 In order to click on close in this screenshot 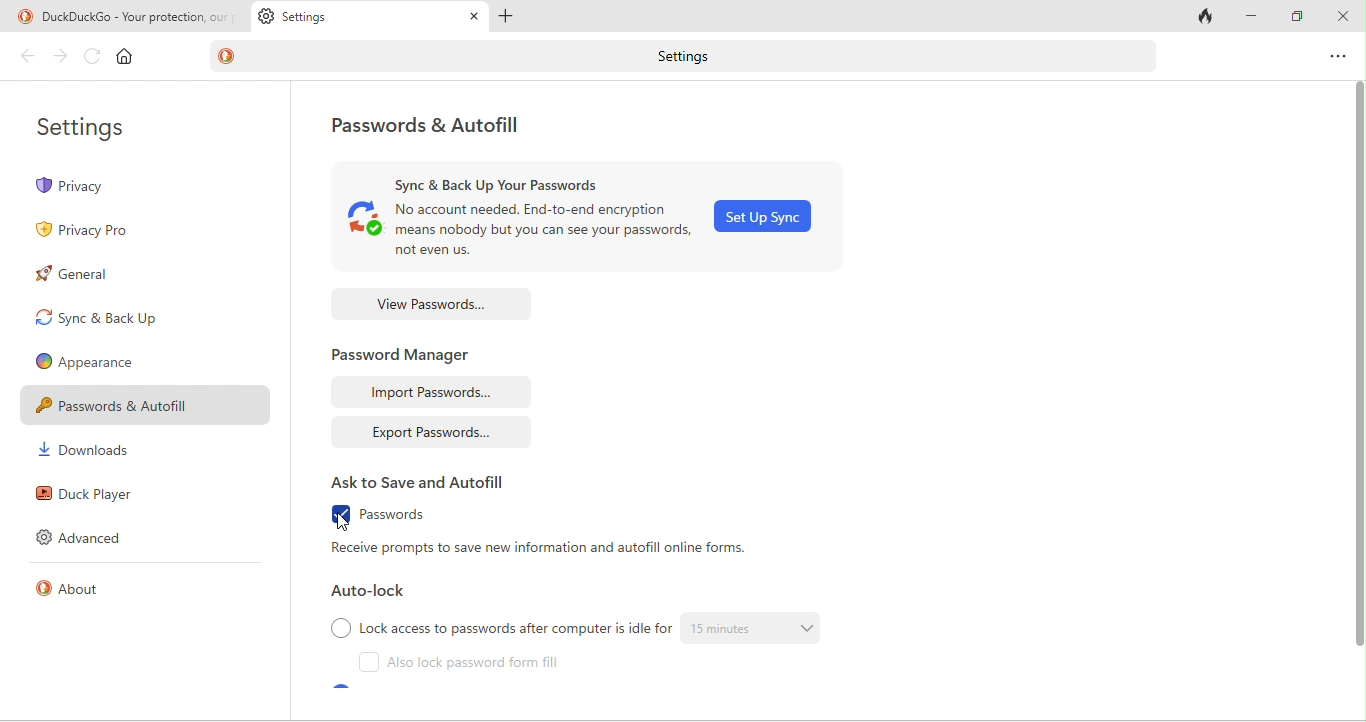, I will do `click(1342, 15)`.